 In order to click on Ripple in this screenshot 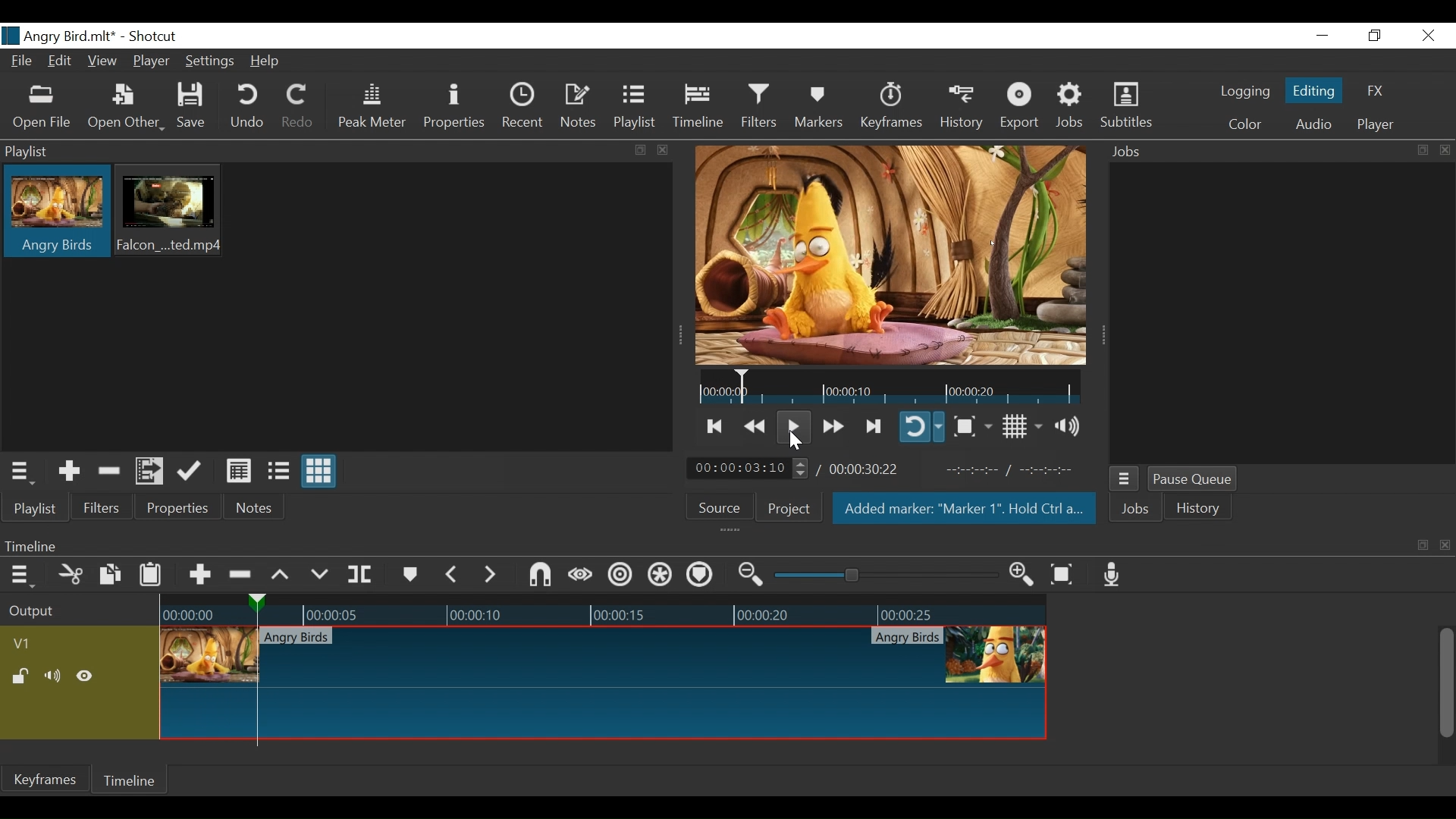, I will do `click(620, 575)`.